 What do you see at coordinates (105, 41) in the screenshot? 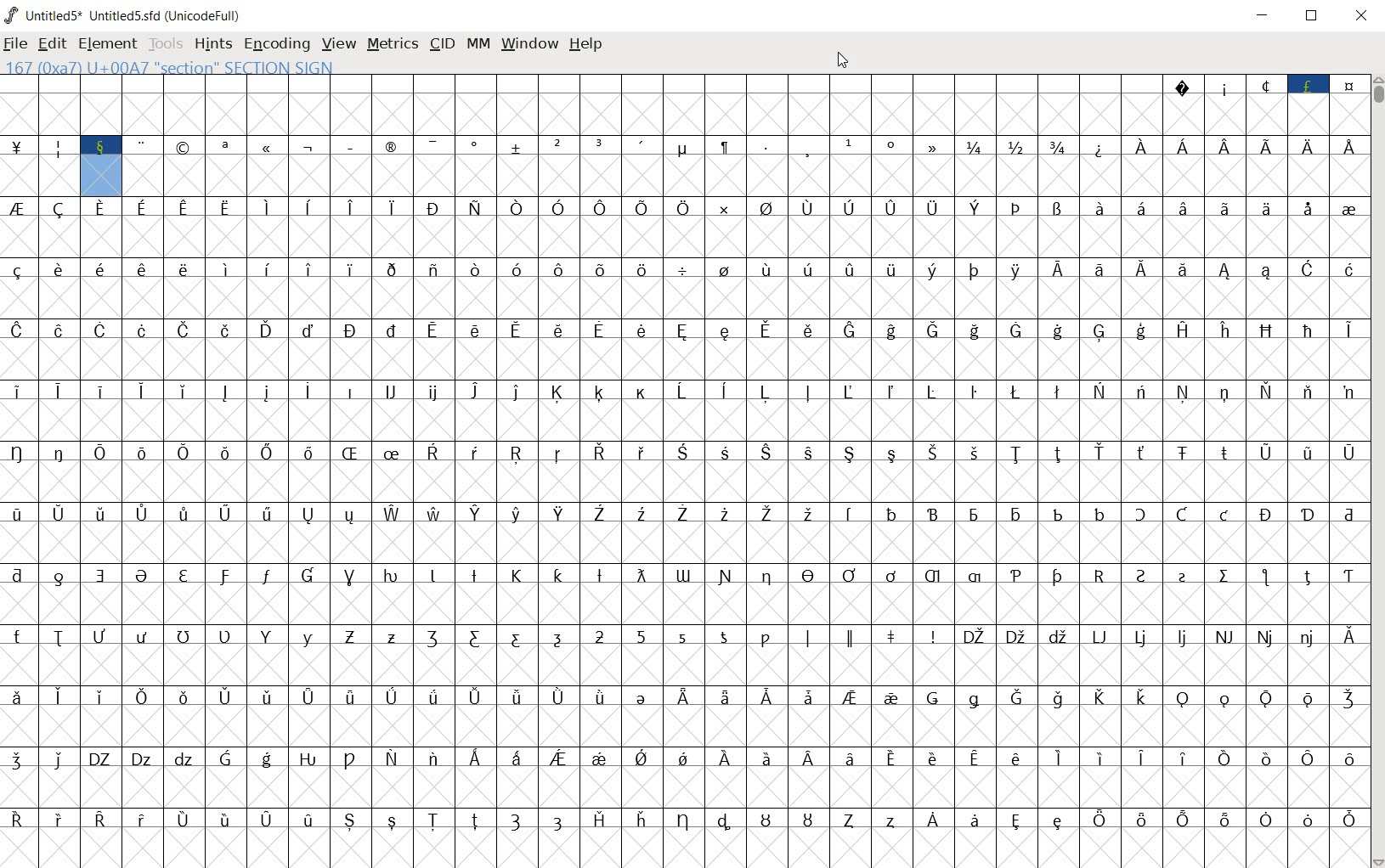
I see `element` at bounding box center [105, 41].